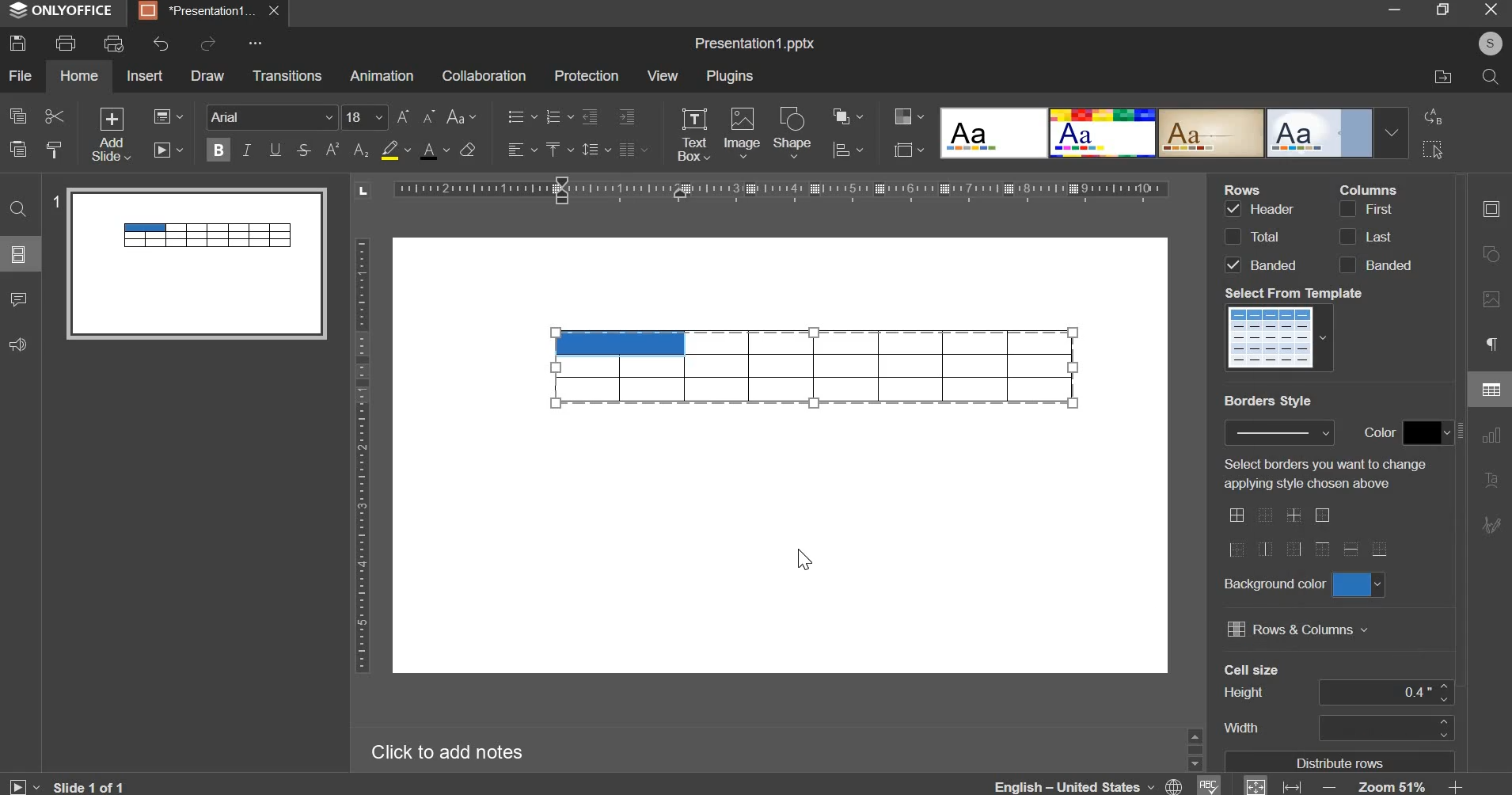 The height and width of the screenshot is (795, 1512). I want to click on file location, so click(1443, 75).